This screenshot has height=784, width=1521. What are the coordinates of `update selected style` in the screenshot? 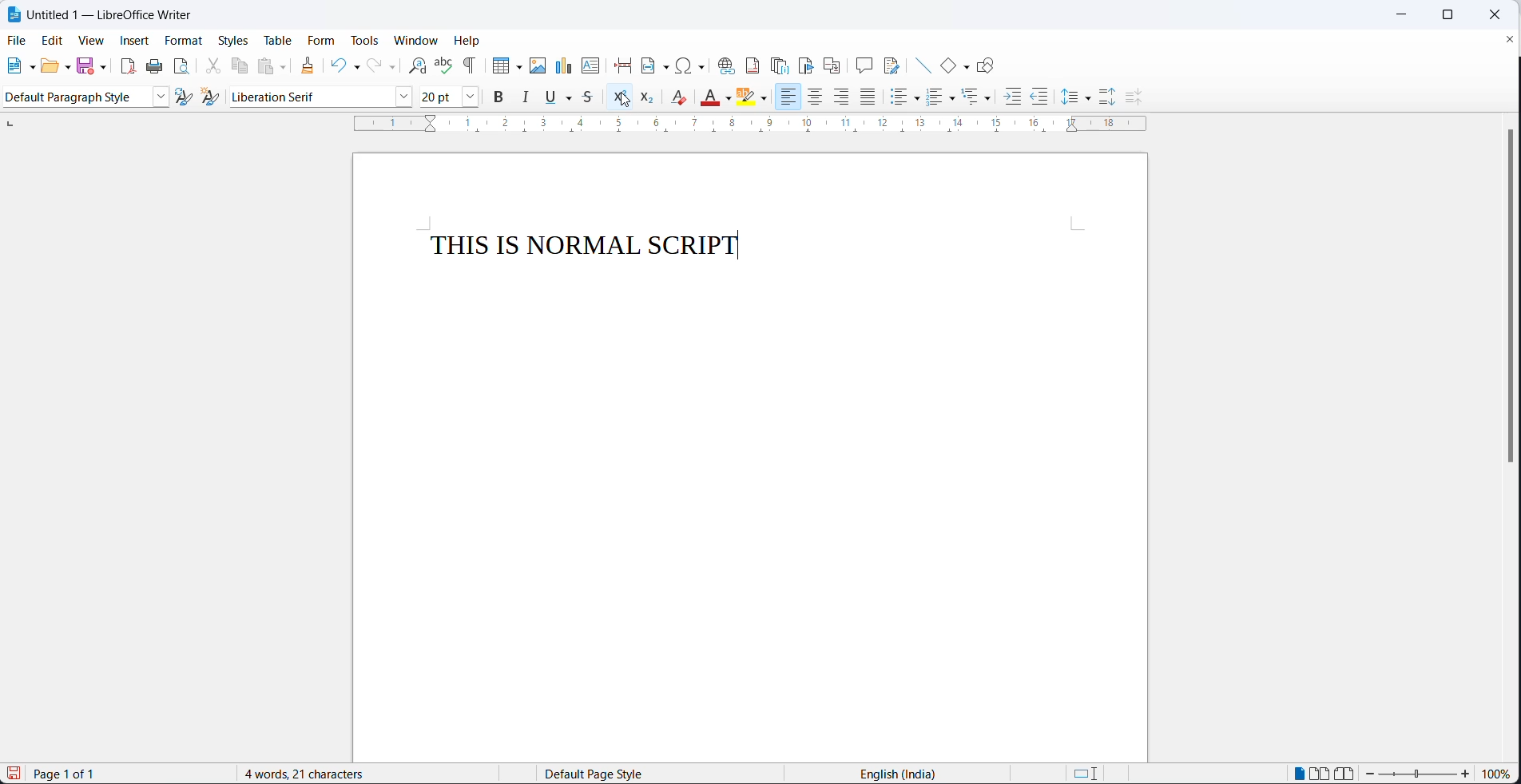 It's located at (188, 97).